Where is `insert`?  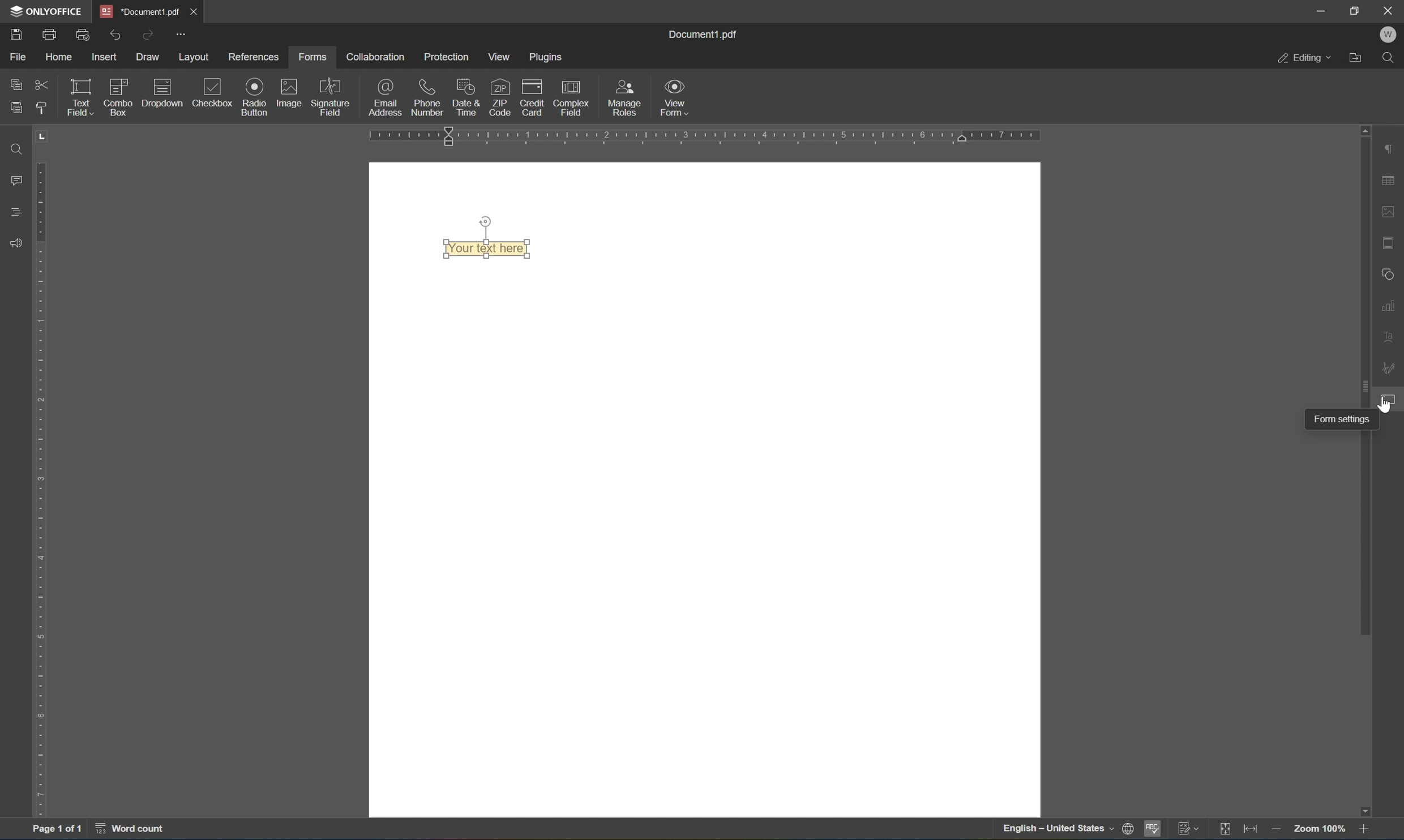
insert is located at coordinates (105, 54).